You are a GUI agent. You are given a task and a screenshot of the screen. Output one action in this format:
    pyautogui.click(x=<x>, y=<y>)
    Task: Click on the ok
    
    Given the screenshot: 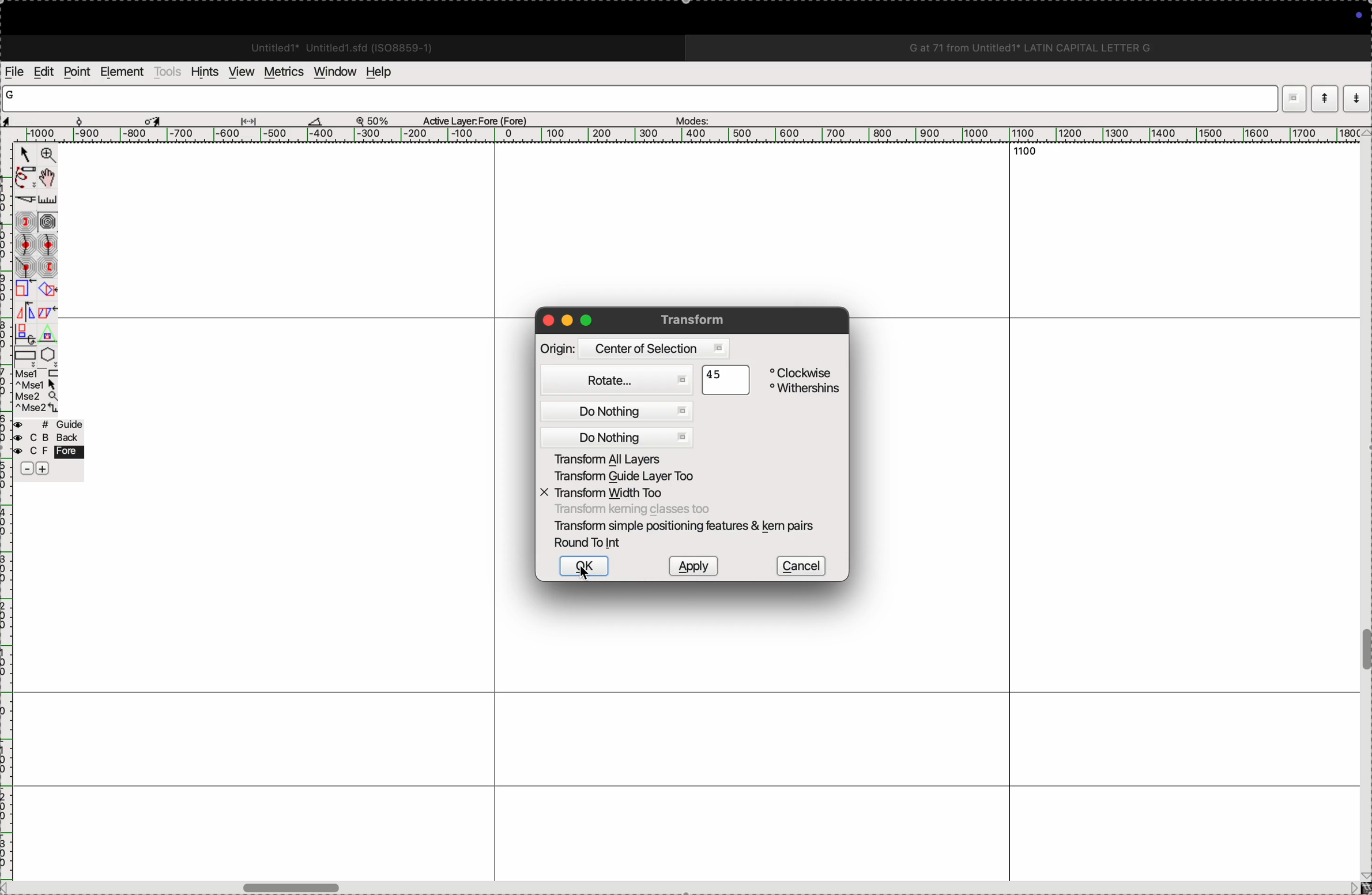 What is the action you would take?
    pyautogui.click(x=587, y=567)
    